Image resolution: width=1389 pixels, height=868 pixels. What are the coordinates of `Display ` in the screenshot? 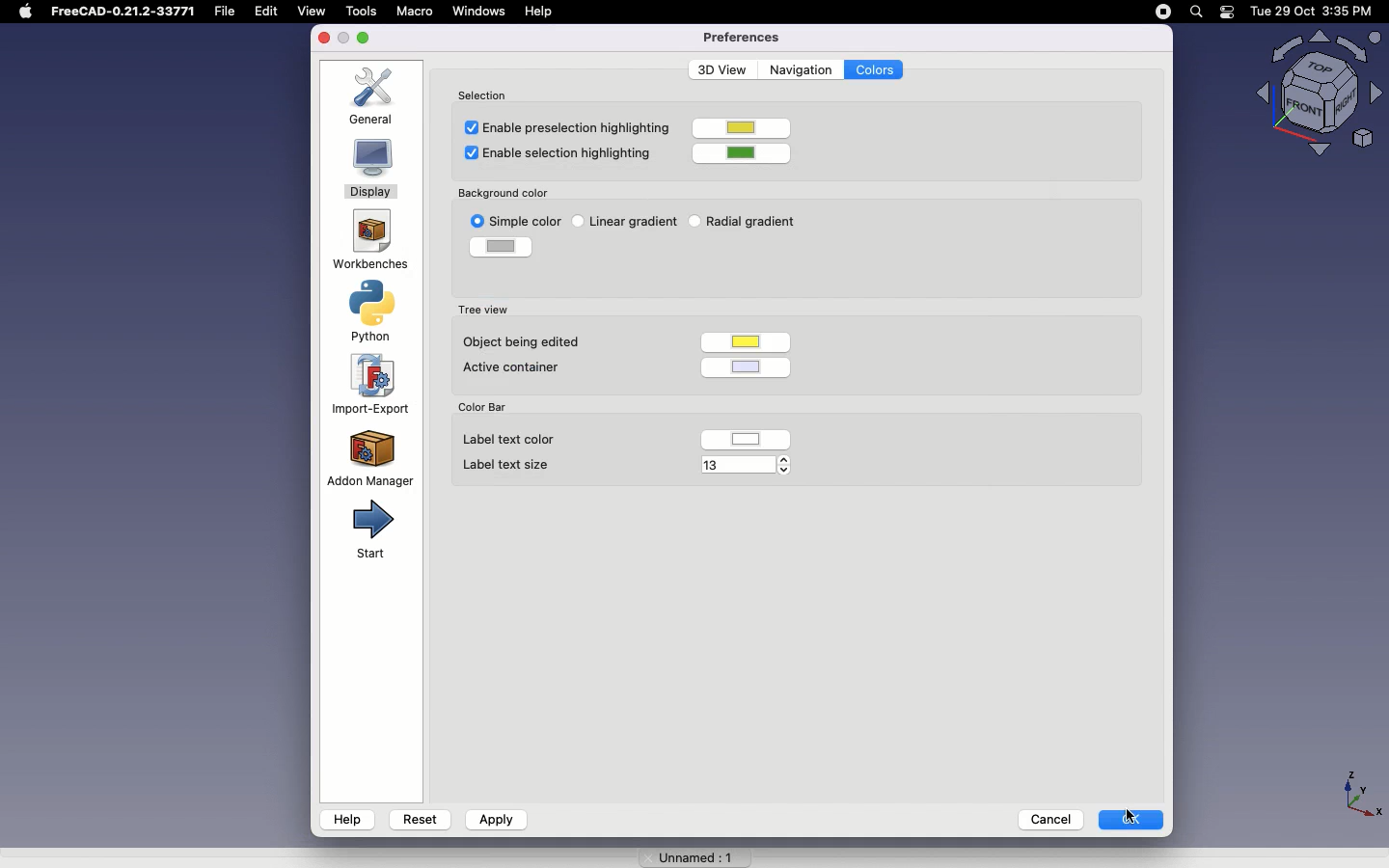 It's located at (371, 171).